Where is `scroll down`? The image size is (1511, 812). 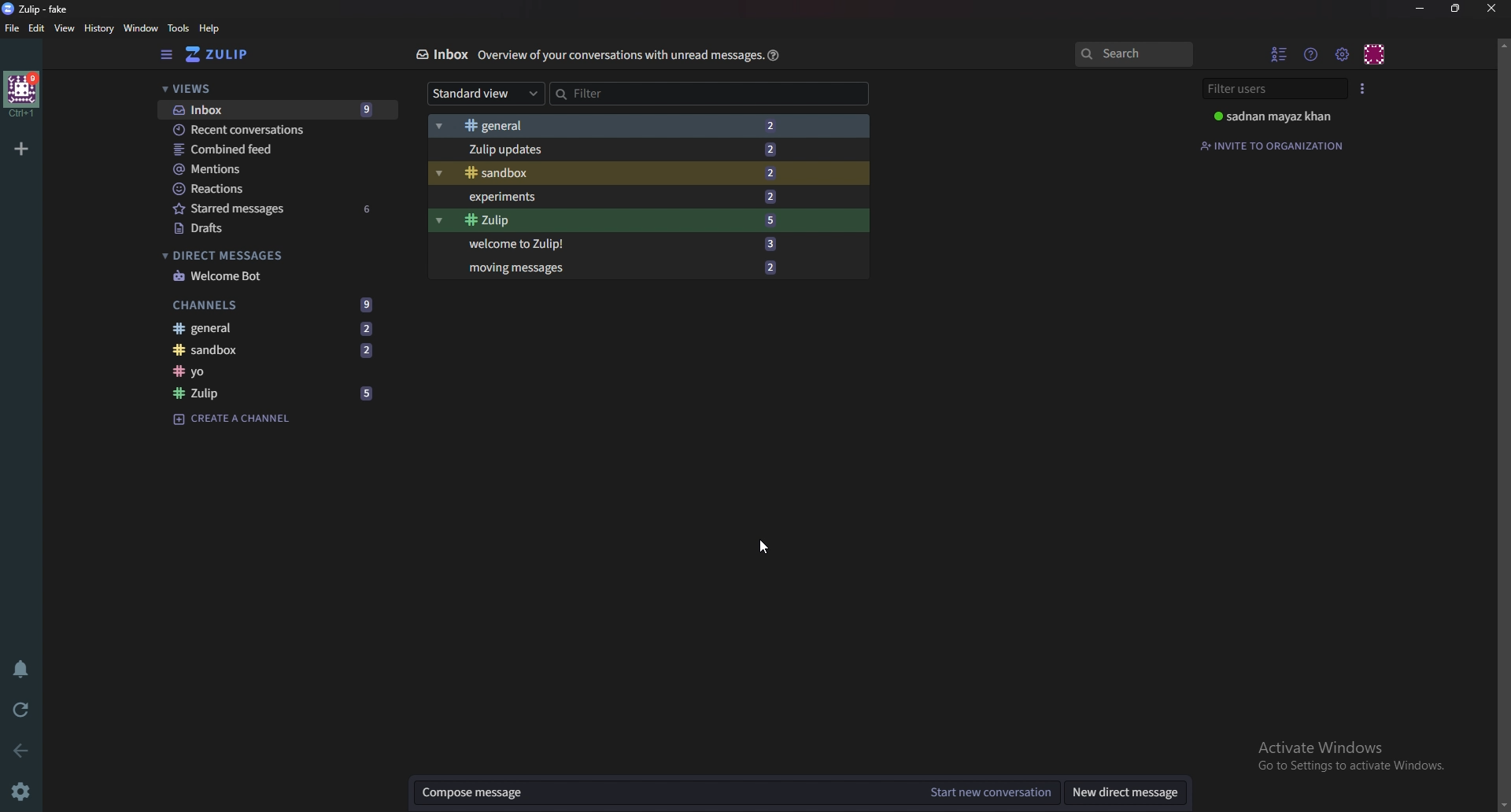
scroll down is located at coordinates (1502, 806).